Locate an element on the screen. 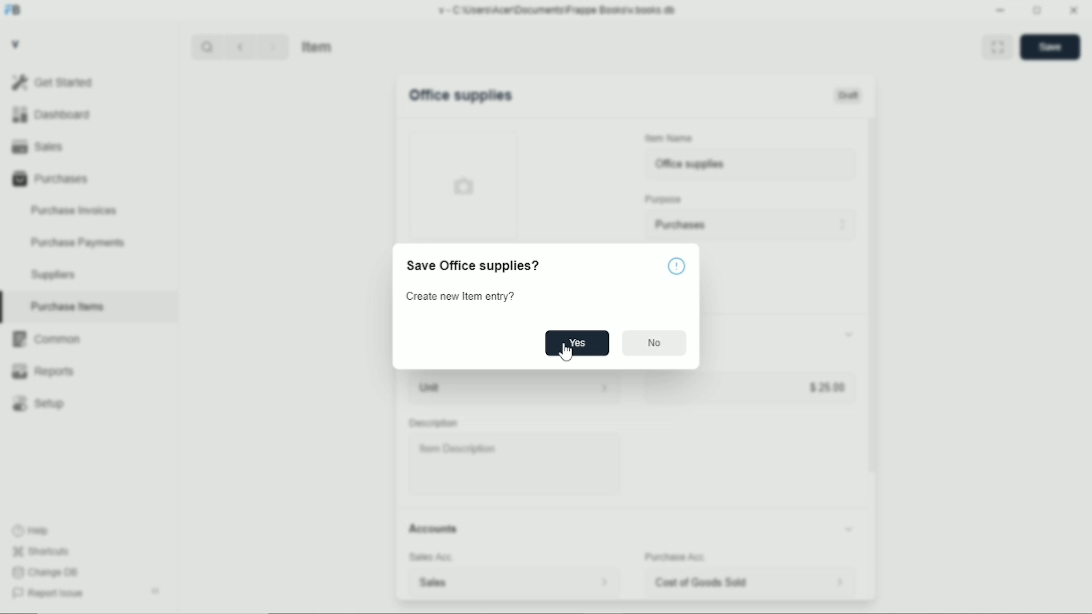 The width and height of the screenshot is (1092, 614). save office supplies? is located at coordinates (473, 266).